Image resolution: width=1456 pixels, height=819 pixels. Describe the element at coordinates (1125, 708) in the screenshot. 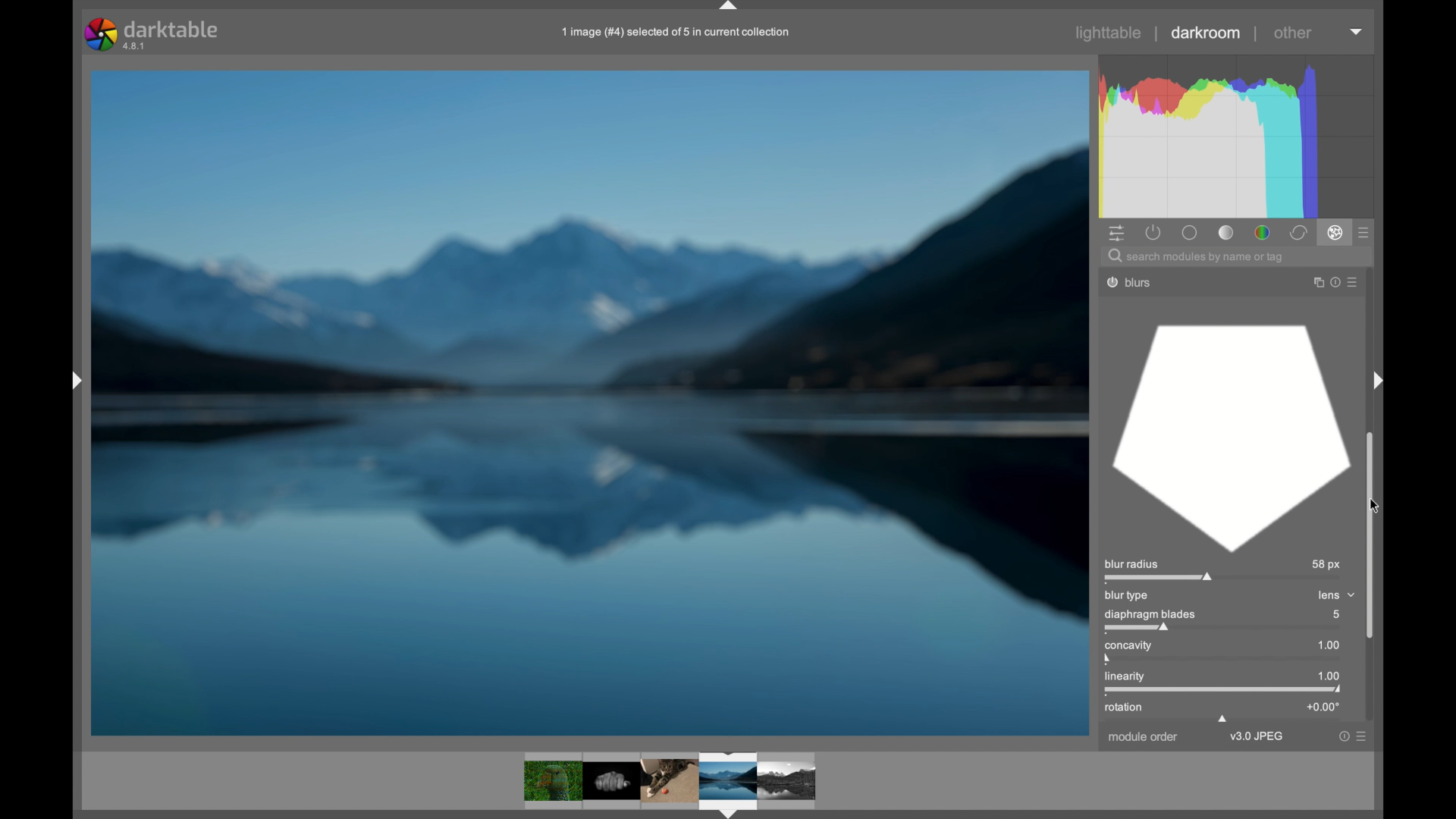

I see `rotation` at that location.